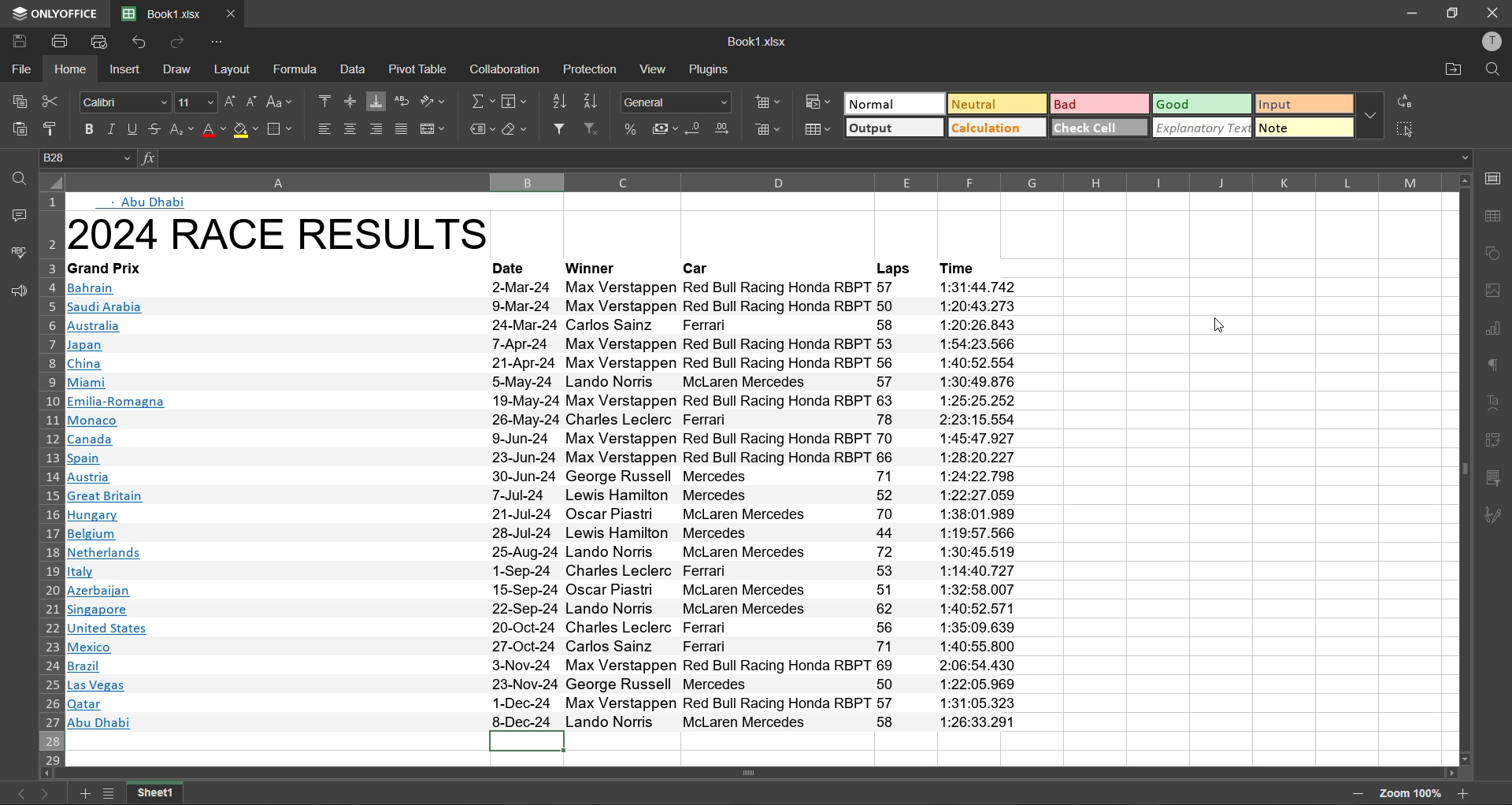 The height and width of the screenshot is (805, 1512). I want to click on filter, so click(565, 129).